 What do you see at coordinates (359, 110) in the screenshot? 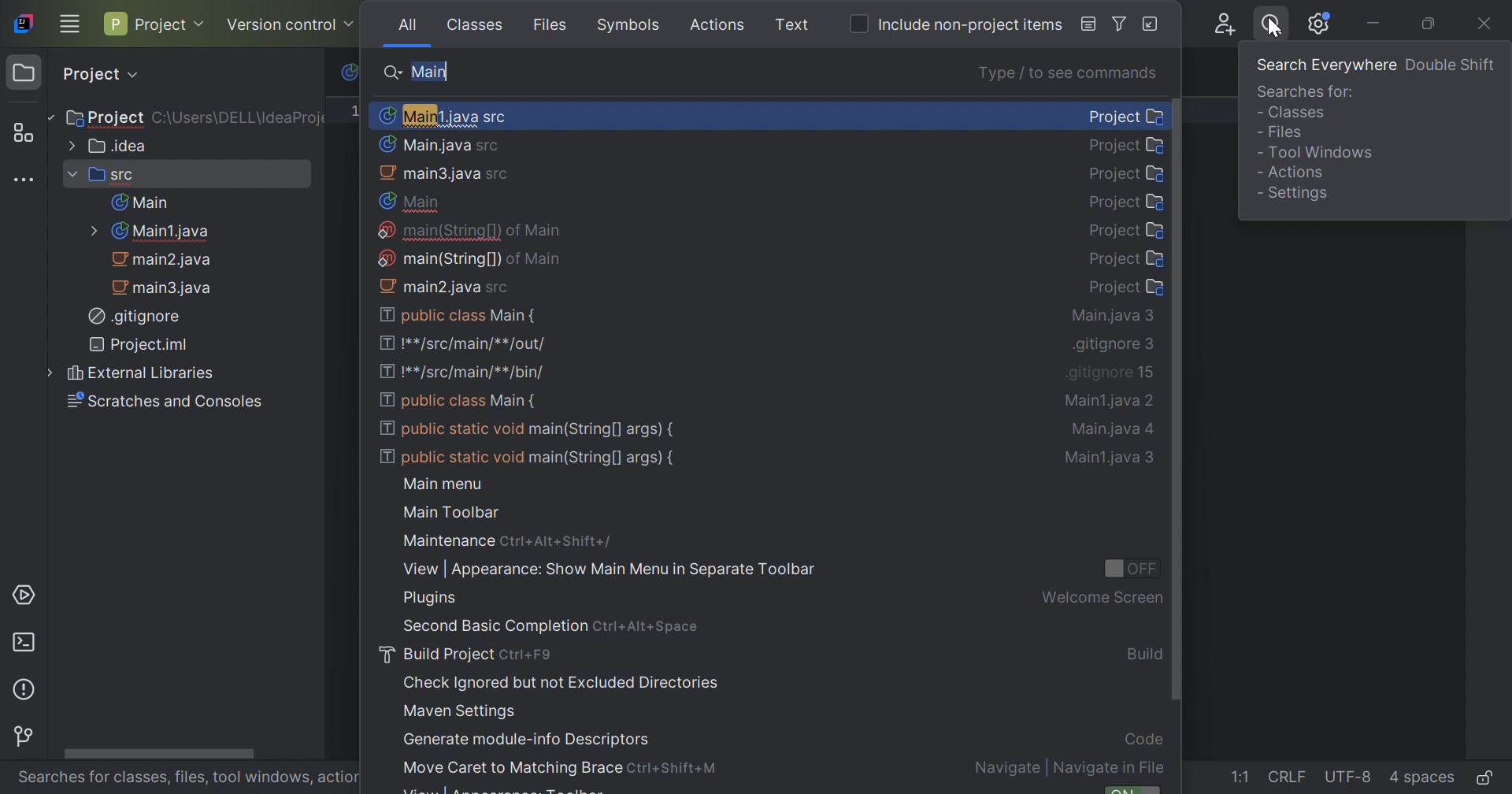
I see `1` at bounding box center [359, 110].